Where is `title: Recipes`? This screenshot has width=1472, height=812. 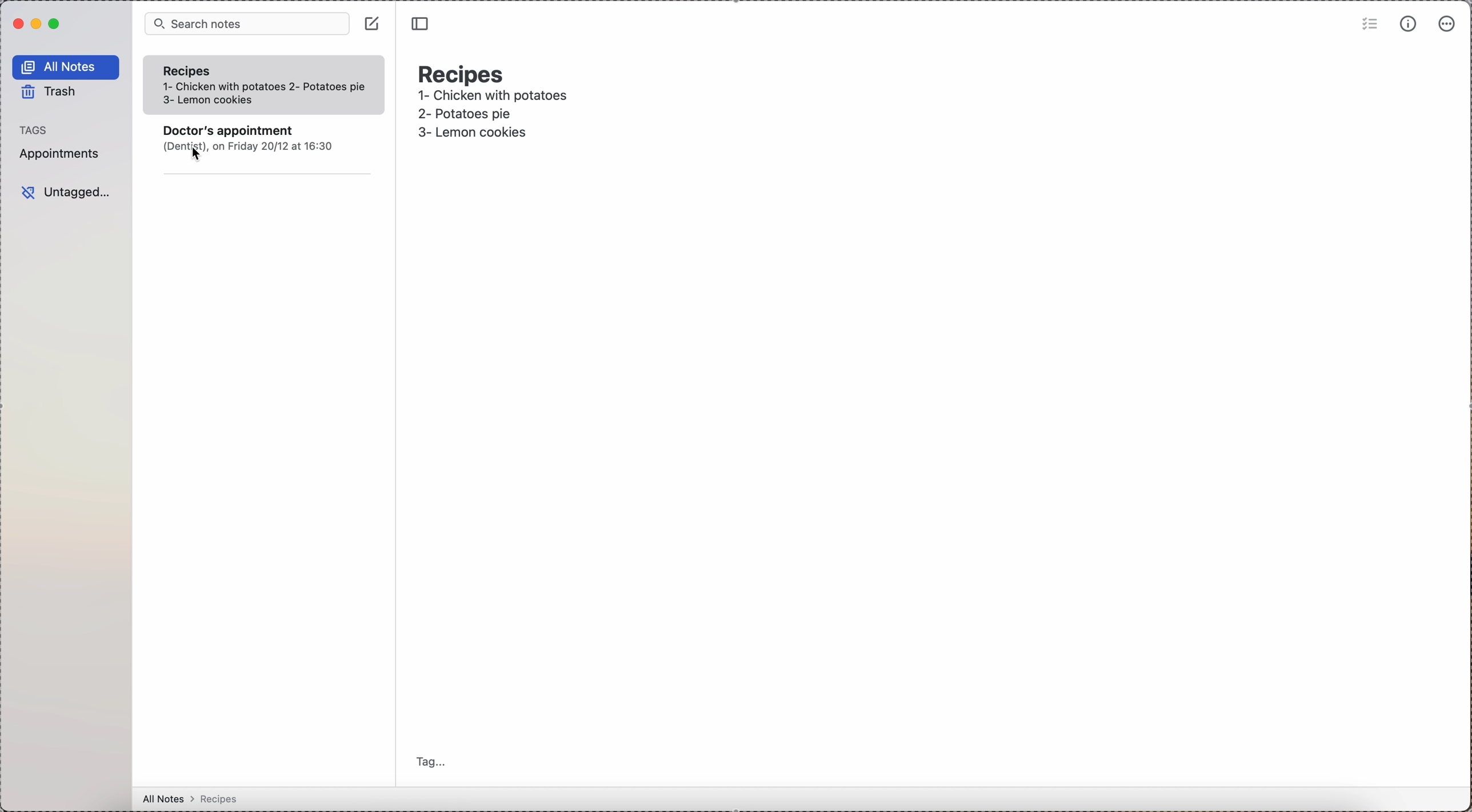 title: Recipes is located at coordinates (463, 71).